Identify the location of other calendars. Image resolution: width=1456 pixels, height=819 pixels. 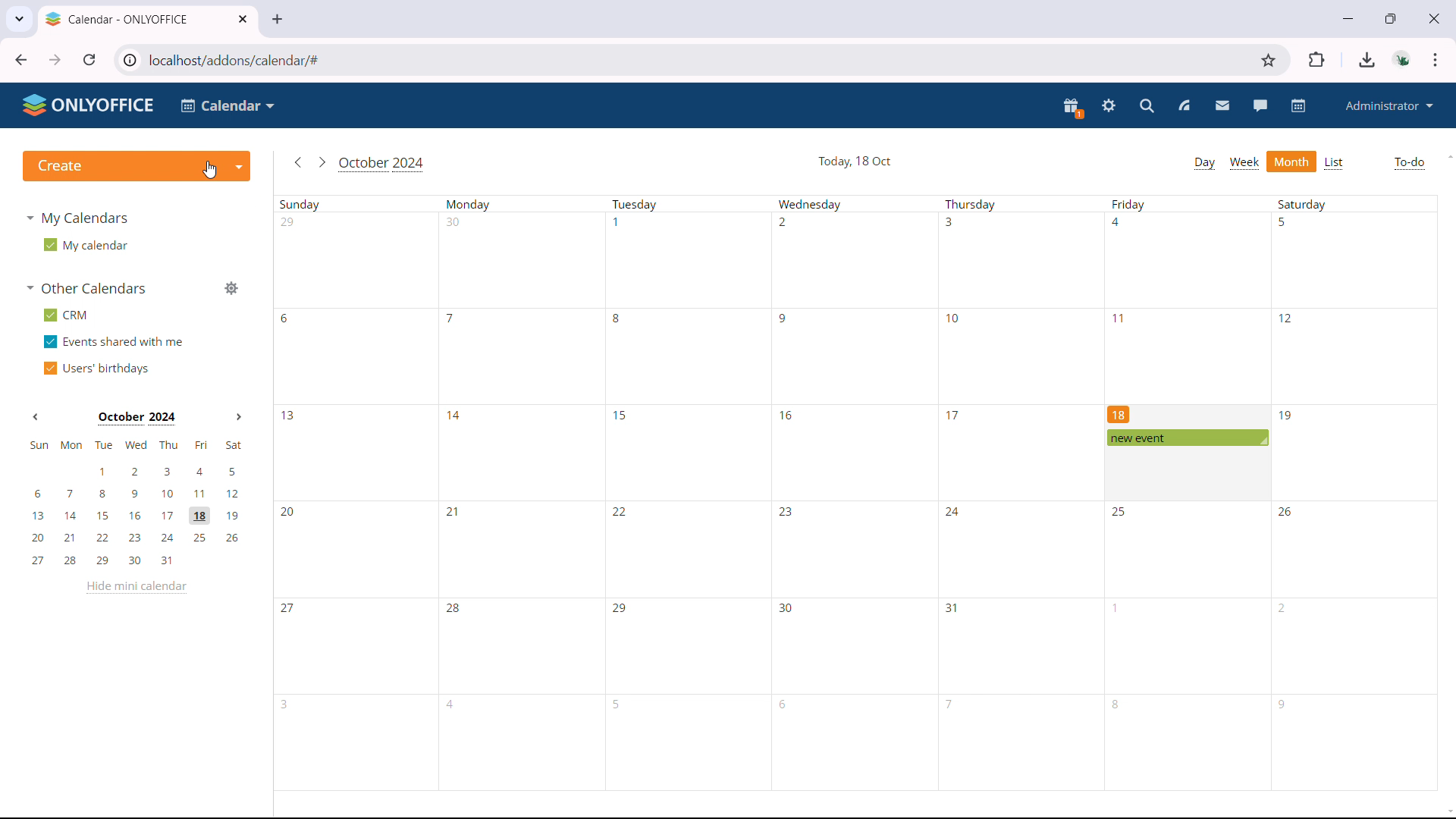
(87, 289).